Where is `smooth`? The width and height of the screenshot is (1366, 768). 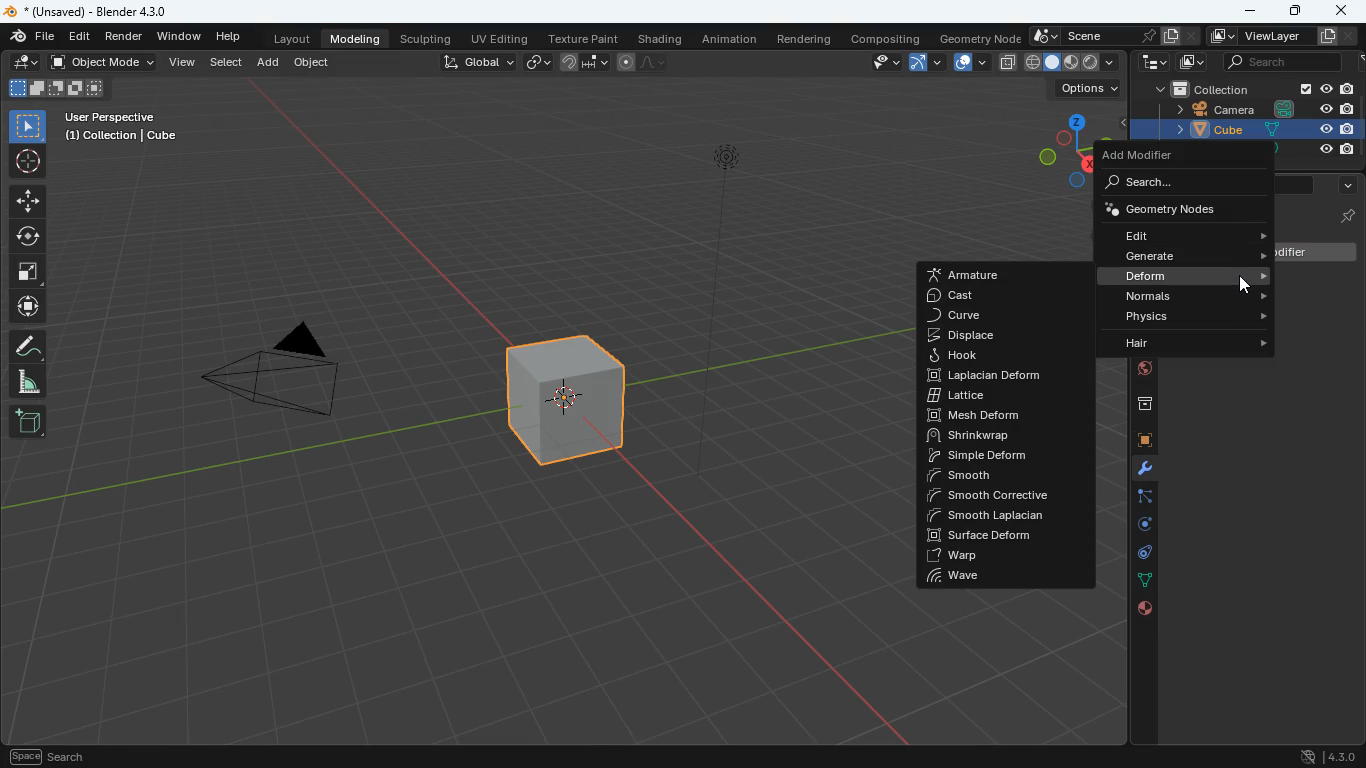
smooth is located at coordinates (997, 478).